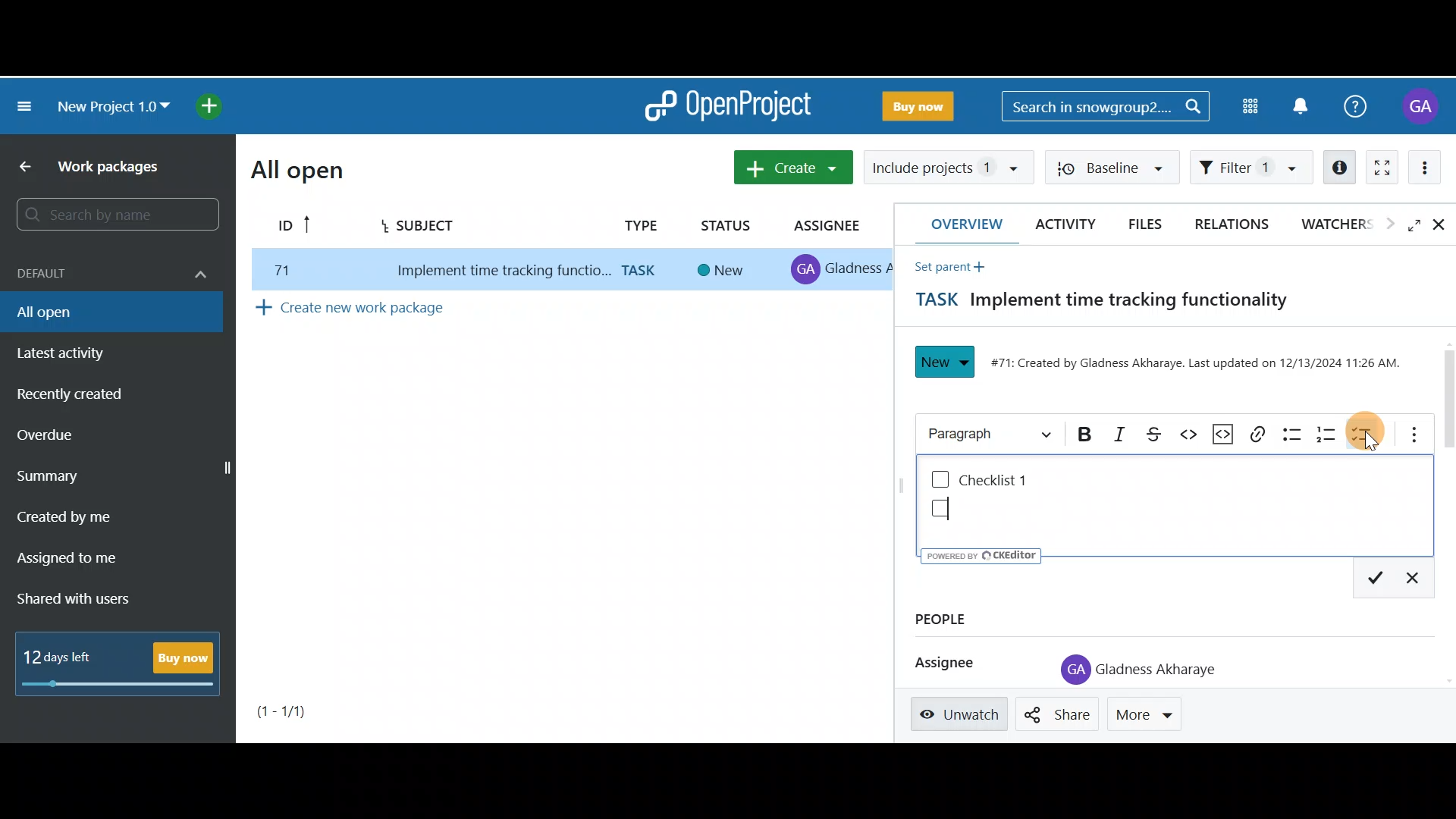 The image size is (1456, 819). Describe the element at coordinates (1420, 579) in the screenshot. I see `Exit` at that location.